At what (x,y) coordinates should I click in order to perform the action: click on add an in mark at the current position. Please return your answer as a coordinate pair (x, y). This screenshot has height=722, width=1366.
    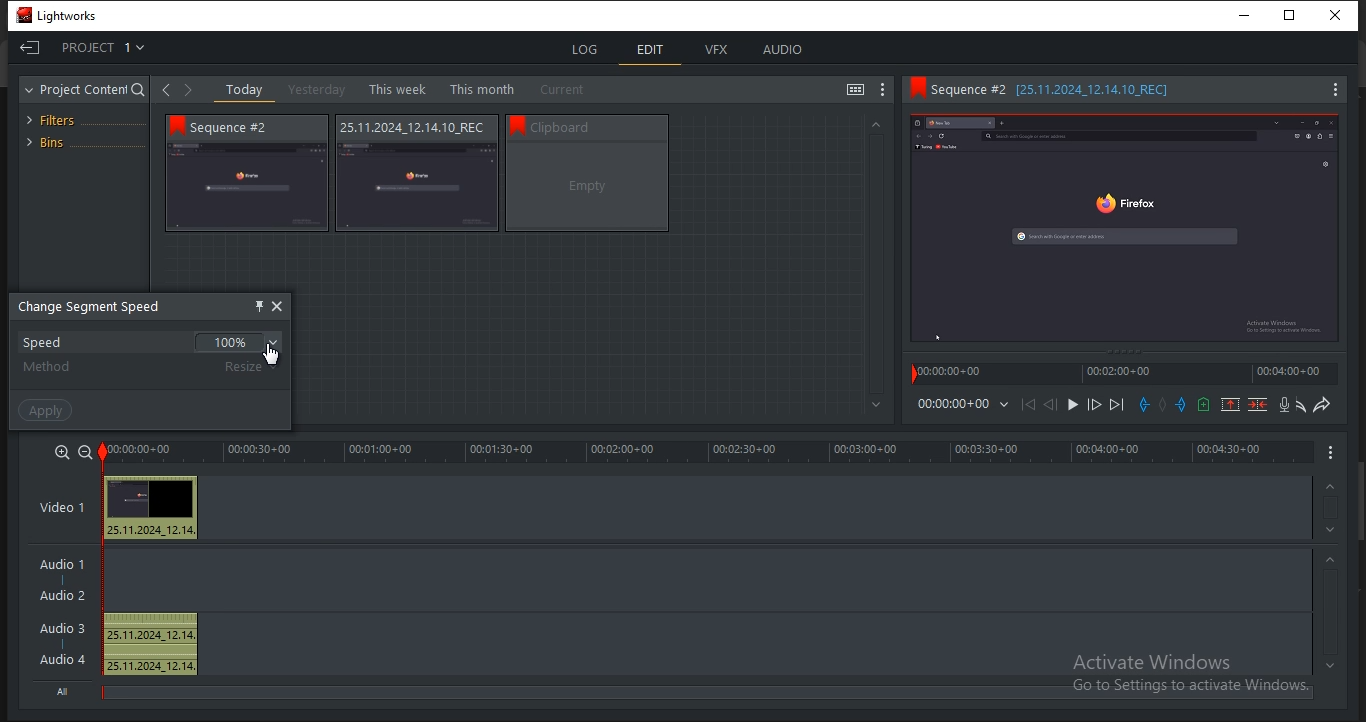
    Looking at the image, I should click on (1144, 406).